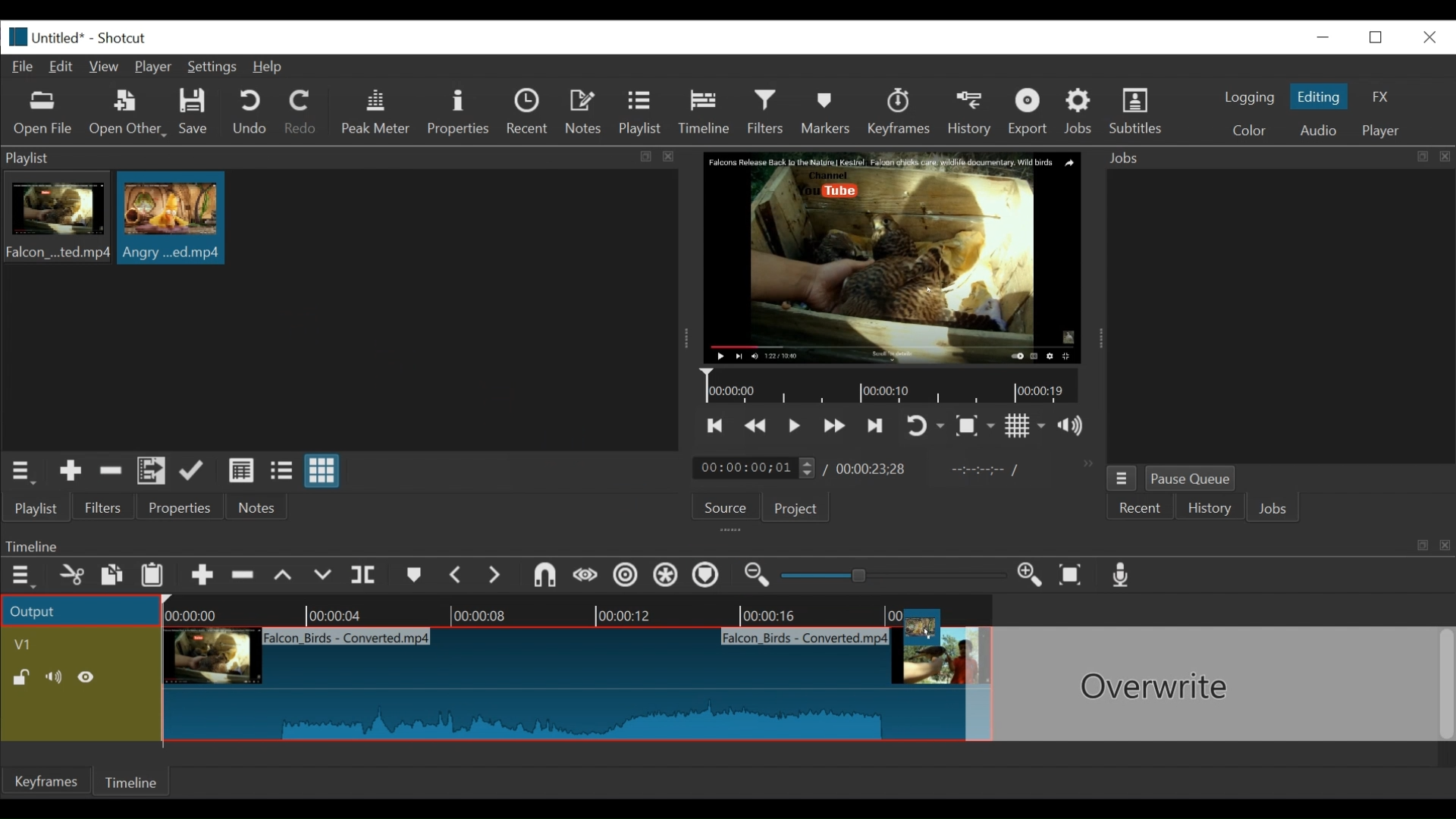 The image size is (1456, 819). What do you see at coordinates (24, 470) in the screenshot?
I see `playlist menu` at bounding box center [24, 470].